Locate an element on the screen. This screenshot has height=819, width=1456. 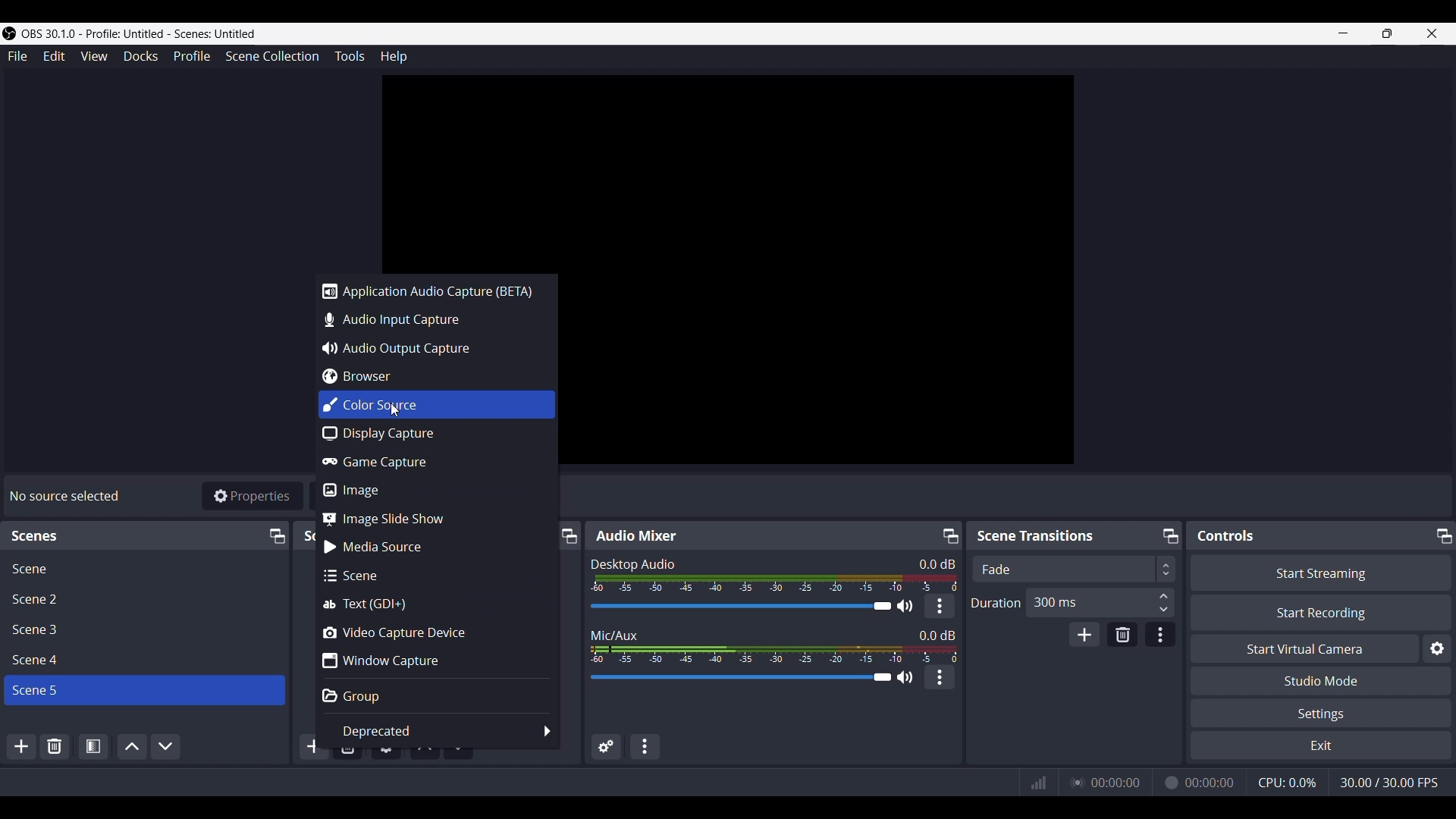
Start Virtual Camera is located at coordinates (1301, 648).